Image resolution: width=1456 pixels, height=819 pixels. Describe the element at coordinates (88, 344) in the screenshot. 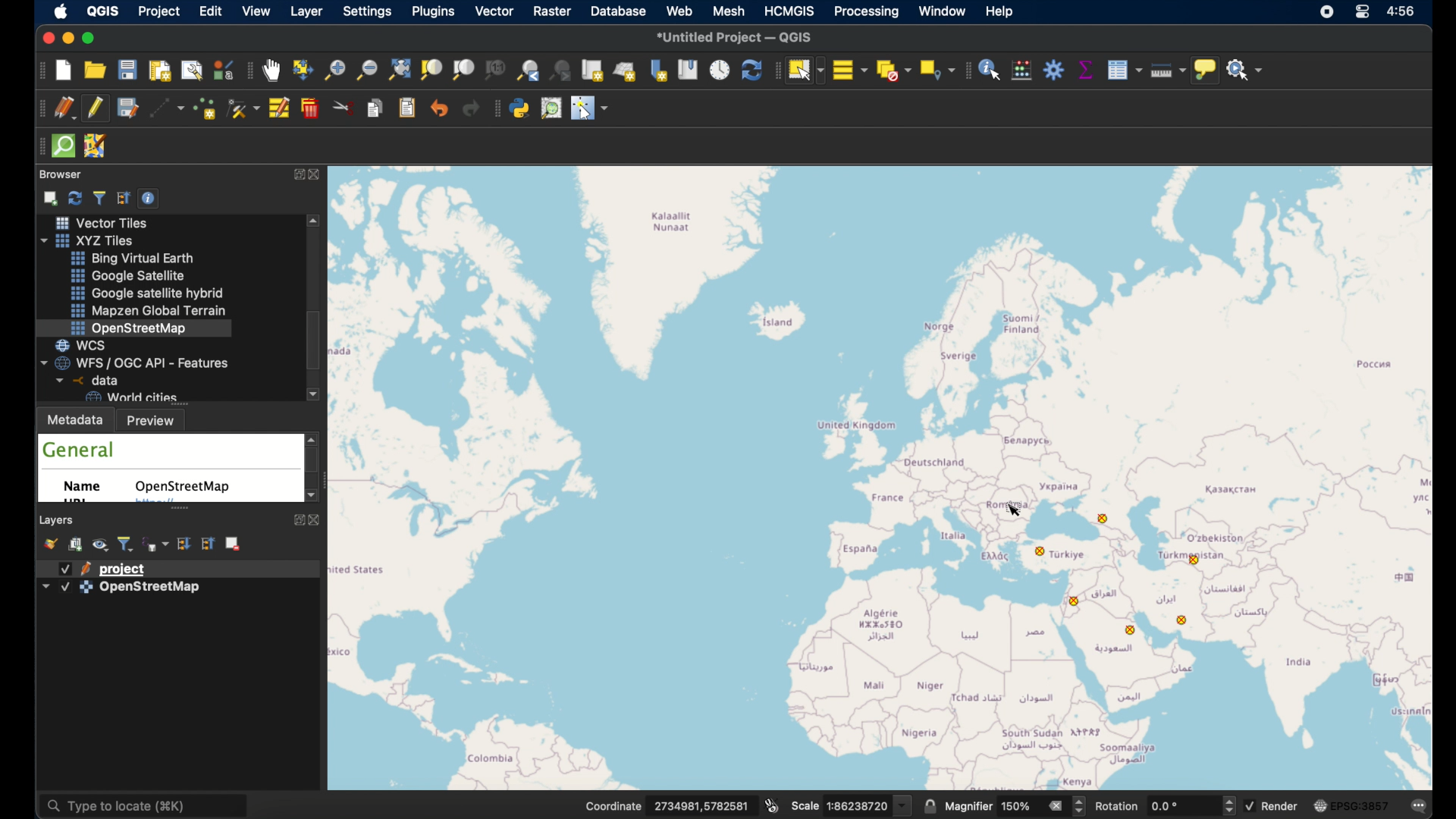

I see `wcs` at that location.